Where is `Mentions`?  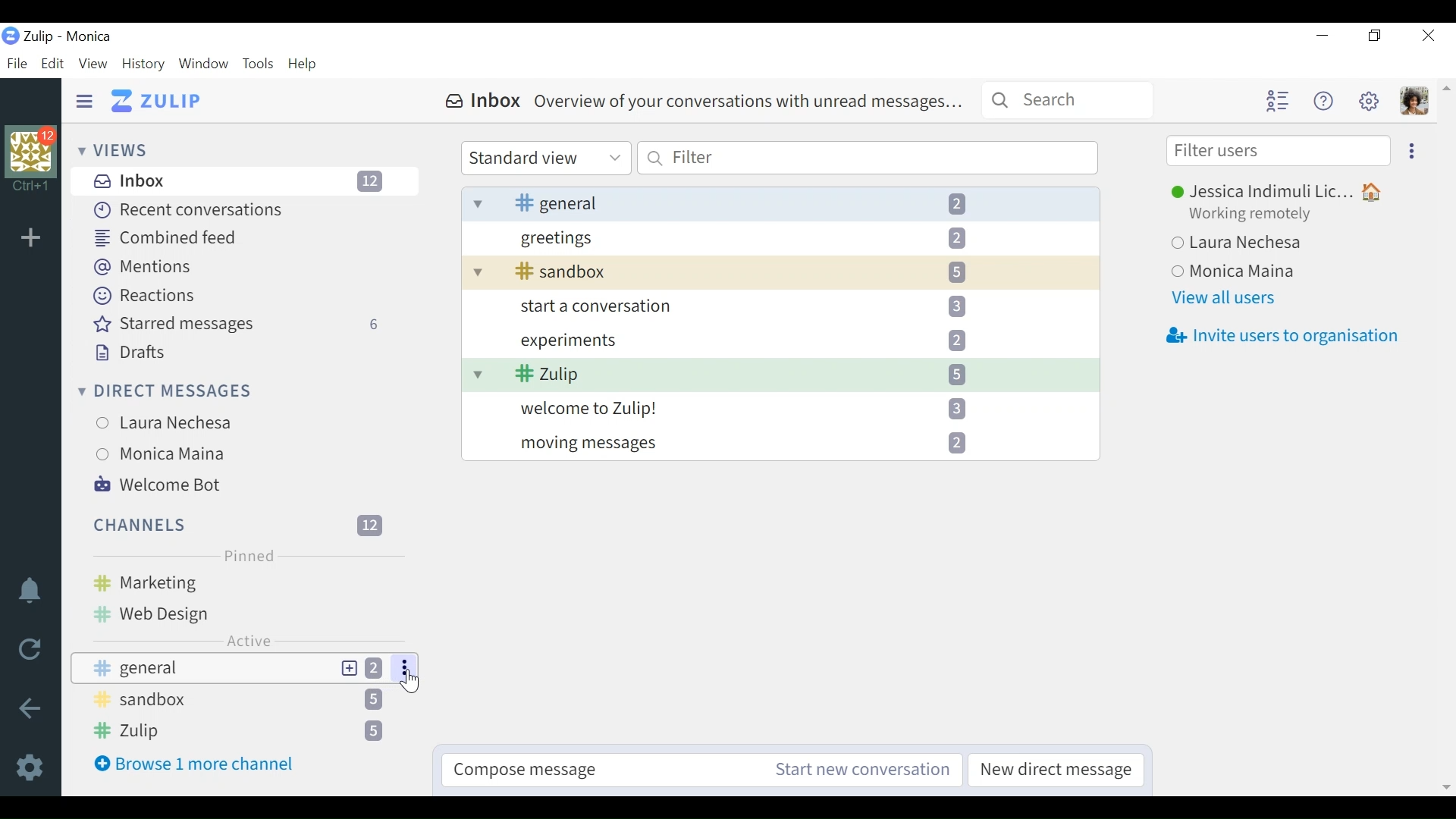 Mentions is located at coordinates (144, 268).